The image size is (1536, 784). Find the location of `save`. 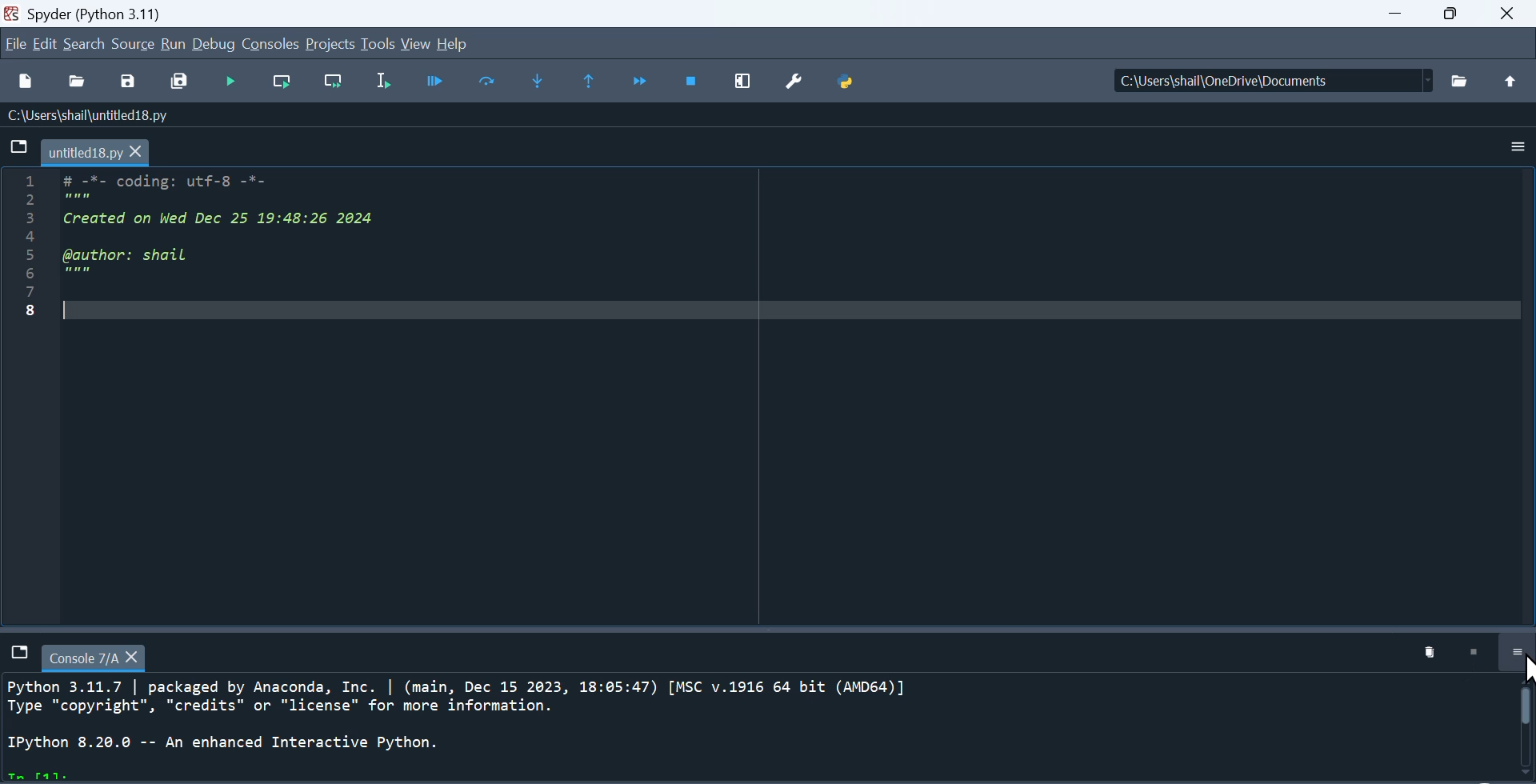

save is located at coordinates (130, 81).